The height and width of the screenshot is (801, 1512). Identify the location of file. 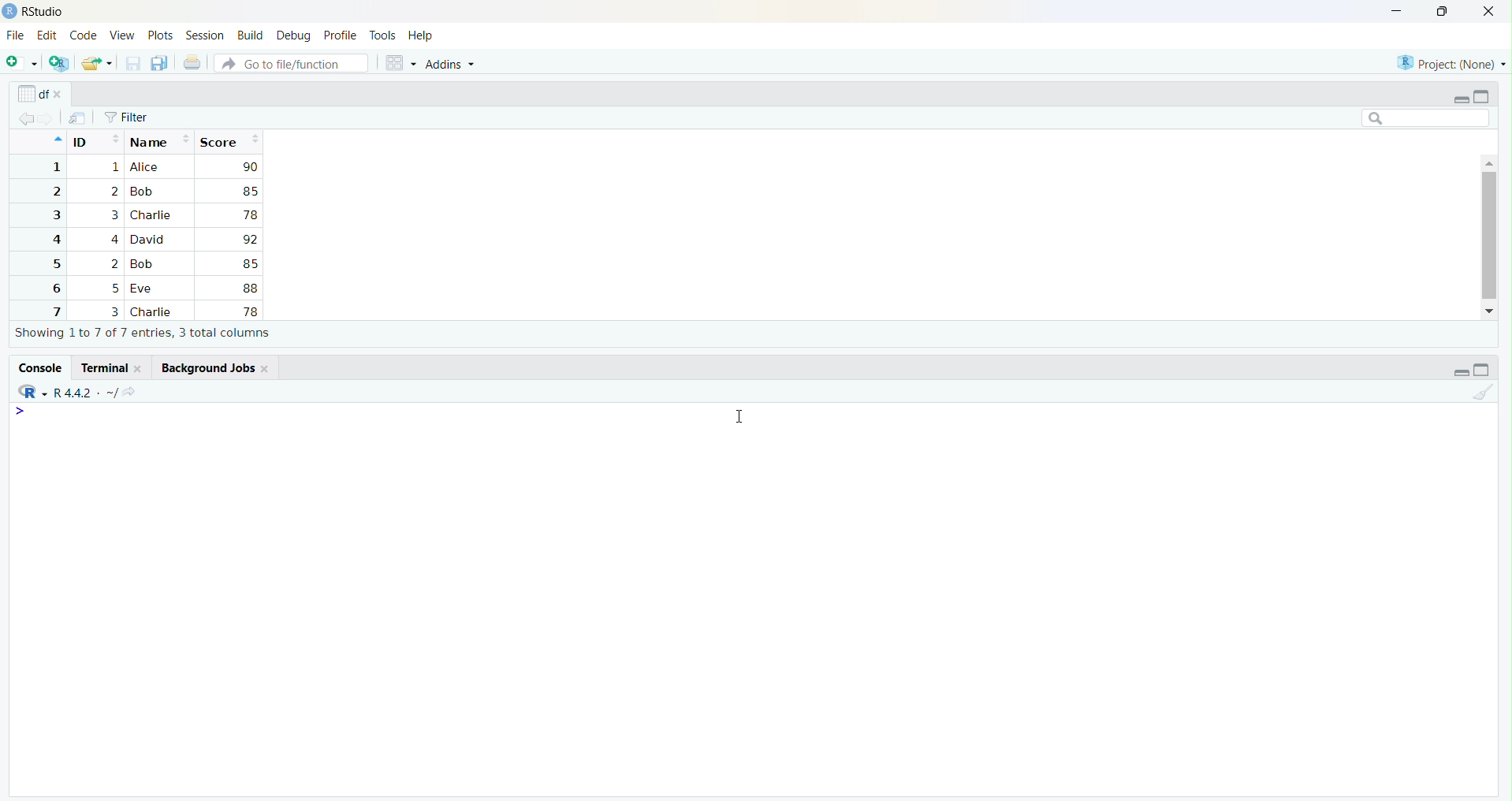
(78, 118).